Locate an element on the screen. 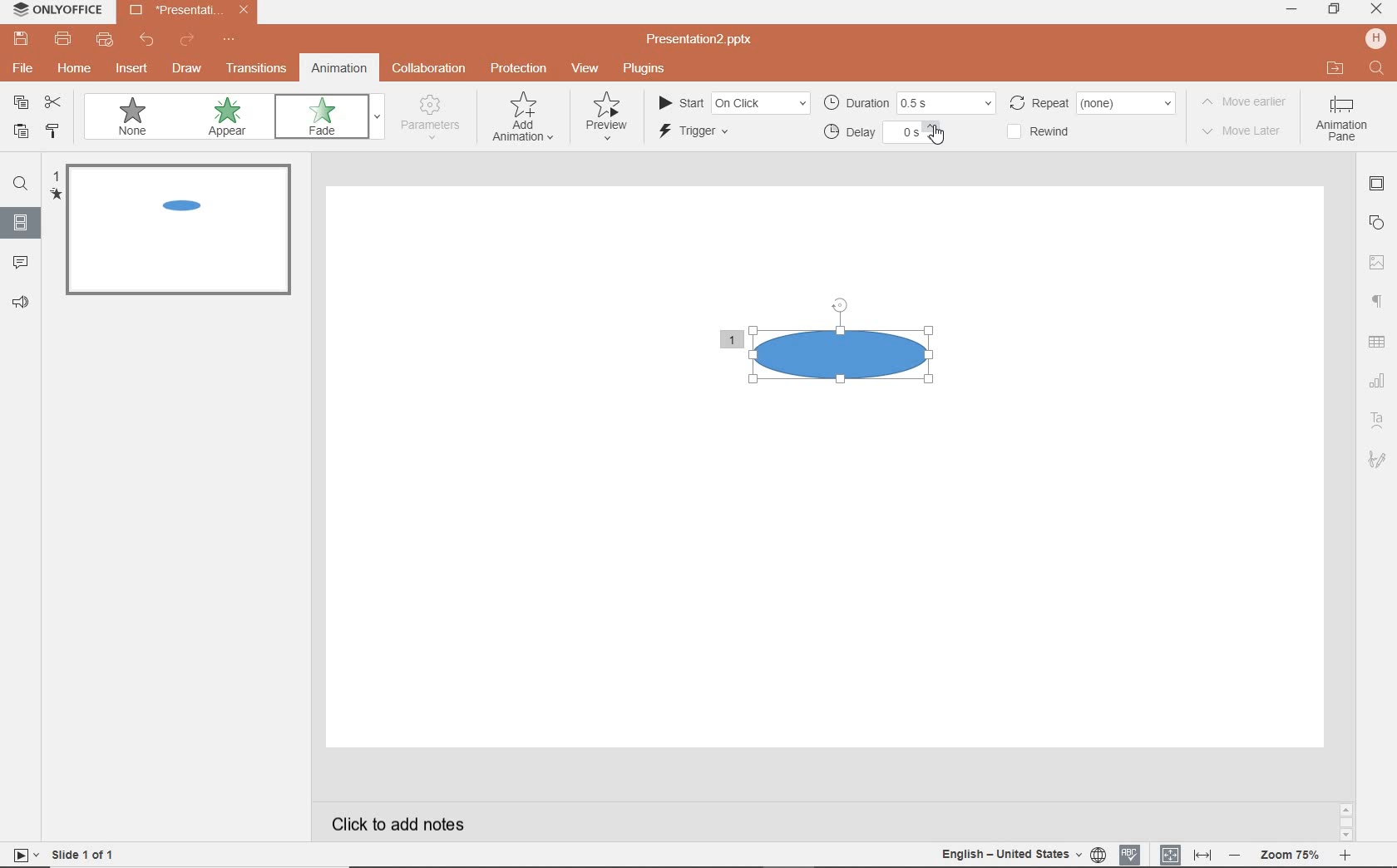 This screenshot has width=1397, height=868. CURSOR is located at coordinates (935, 135).